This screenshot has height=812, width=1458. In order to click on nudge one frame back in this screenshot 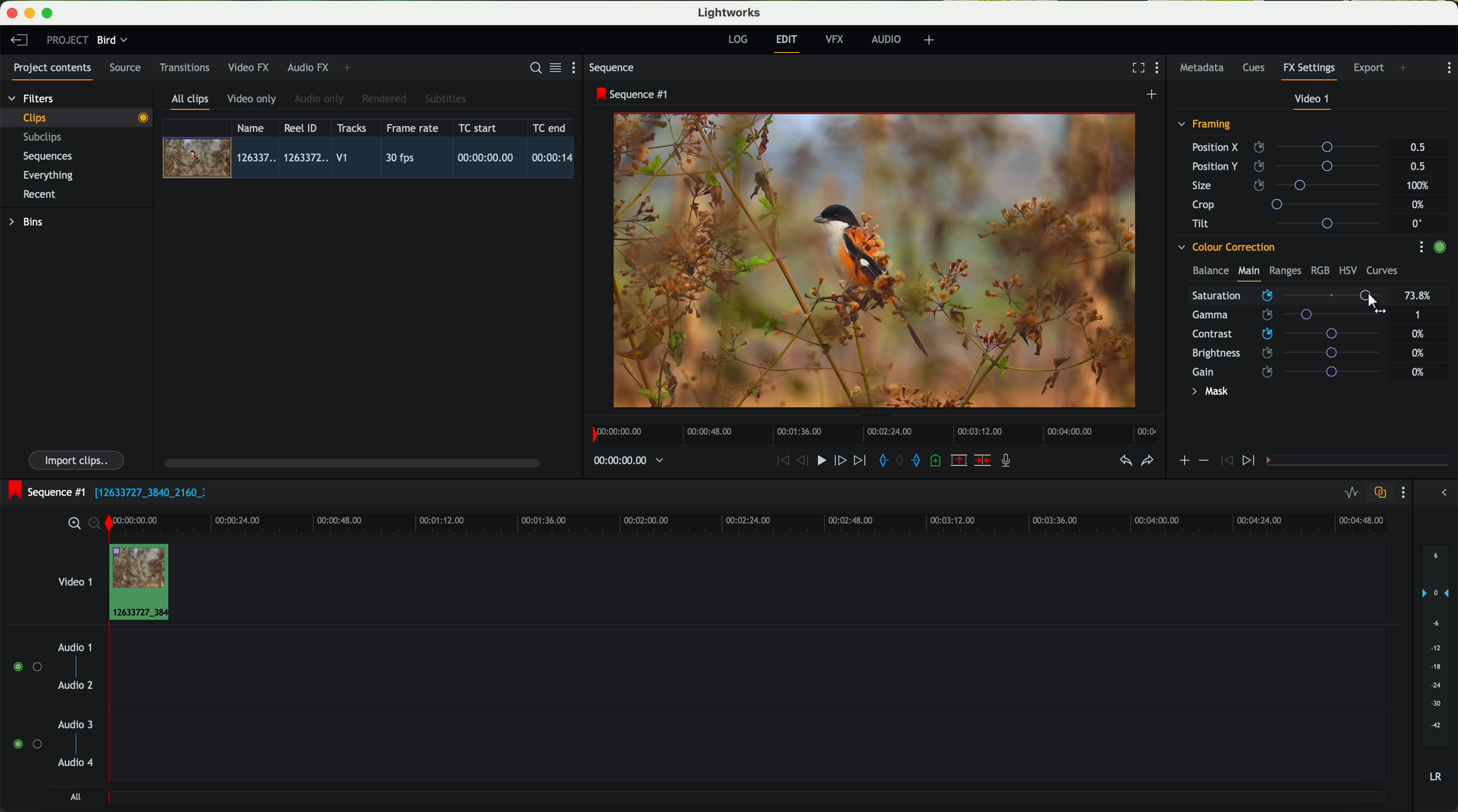, I will do `click(804, 462)`.